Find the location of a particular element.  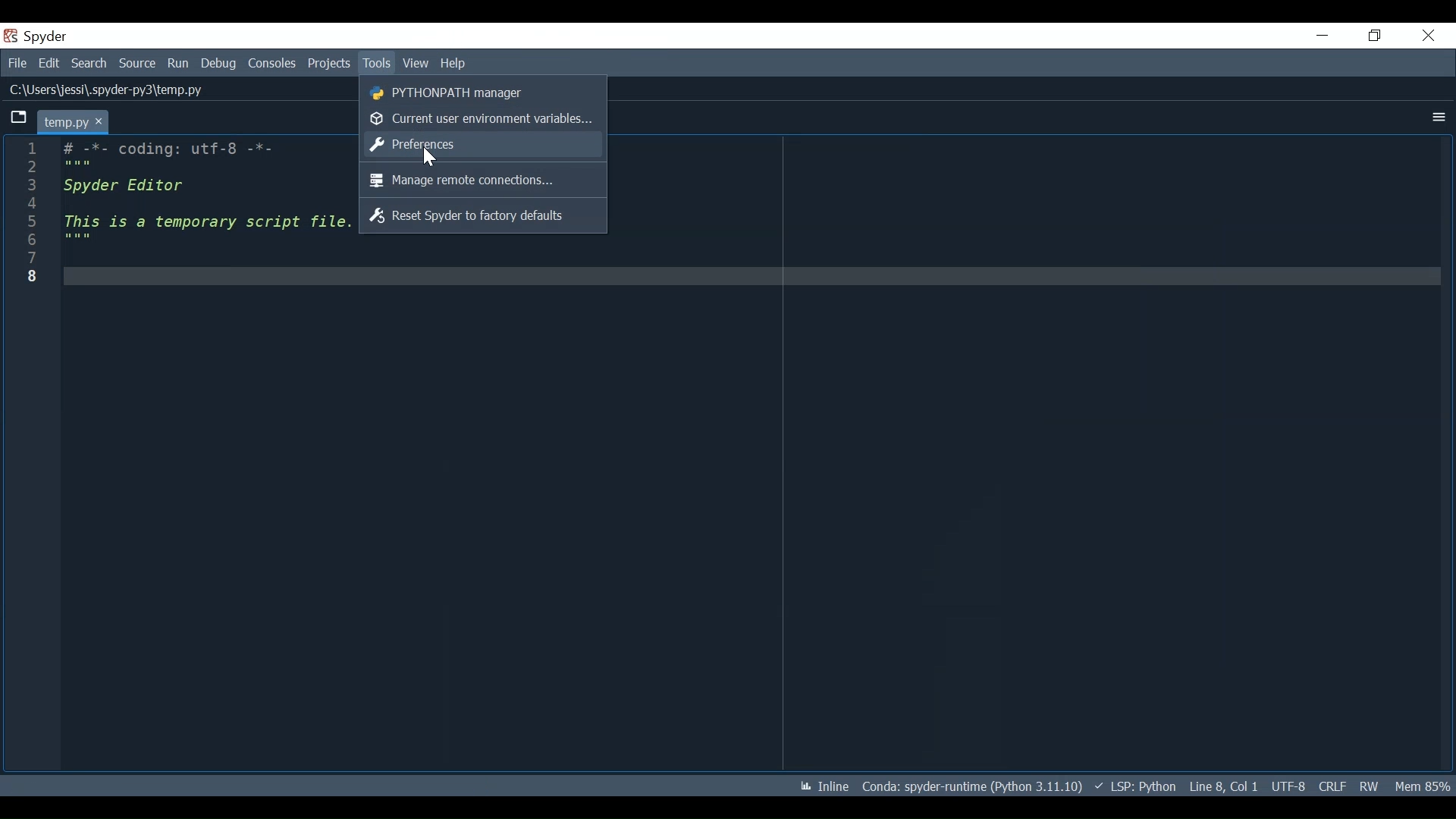

Minimize is located at coordinates (1323, 36).